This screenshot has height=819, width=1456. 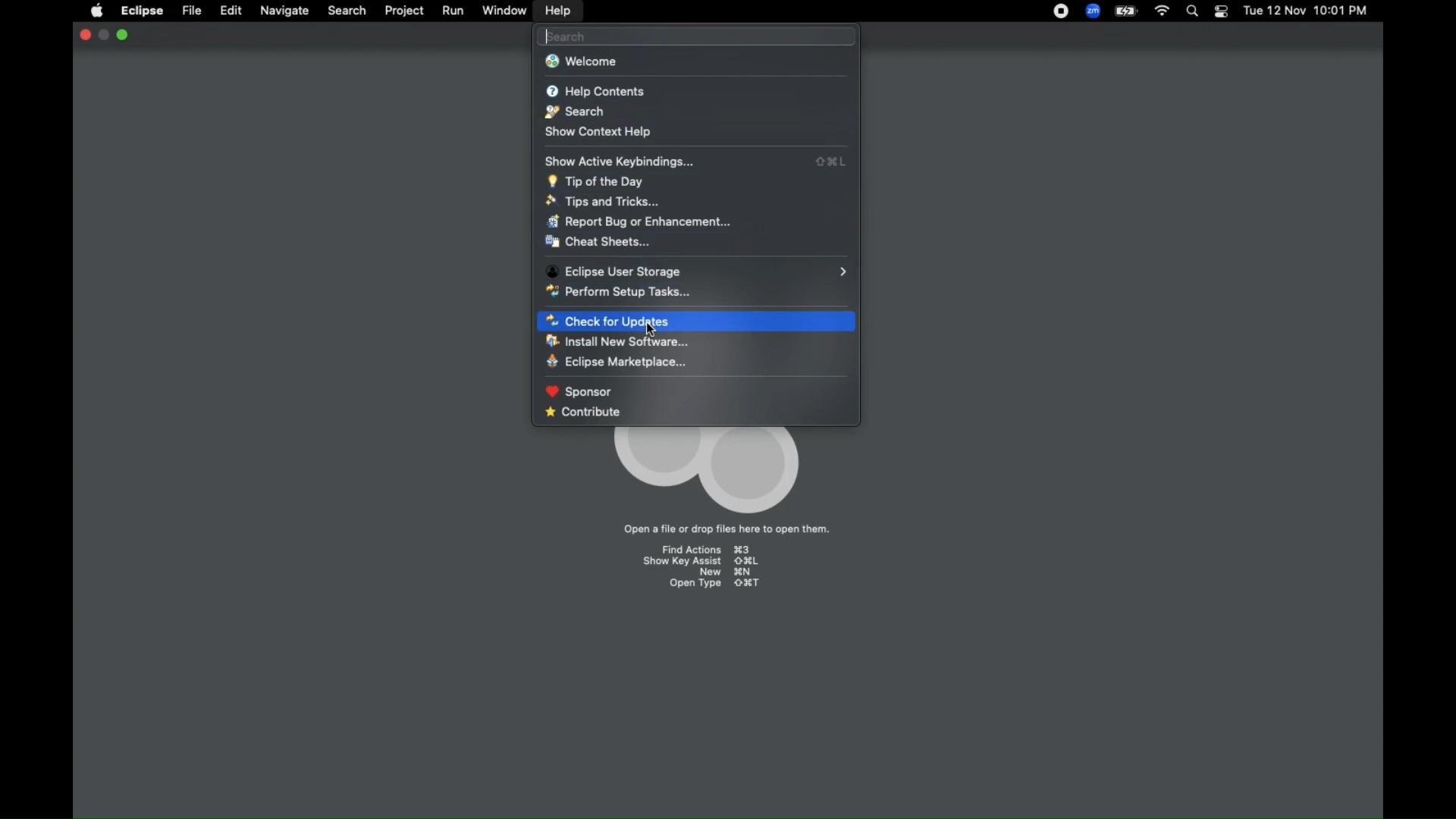 What do you see at coordinates (284, 11) in the screenshot?
I see `Navigate` at bounding box center [284, 11].